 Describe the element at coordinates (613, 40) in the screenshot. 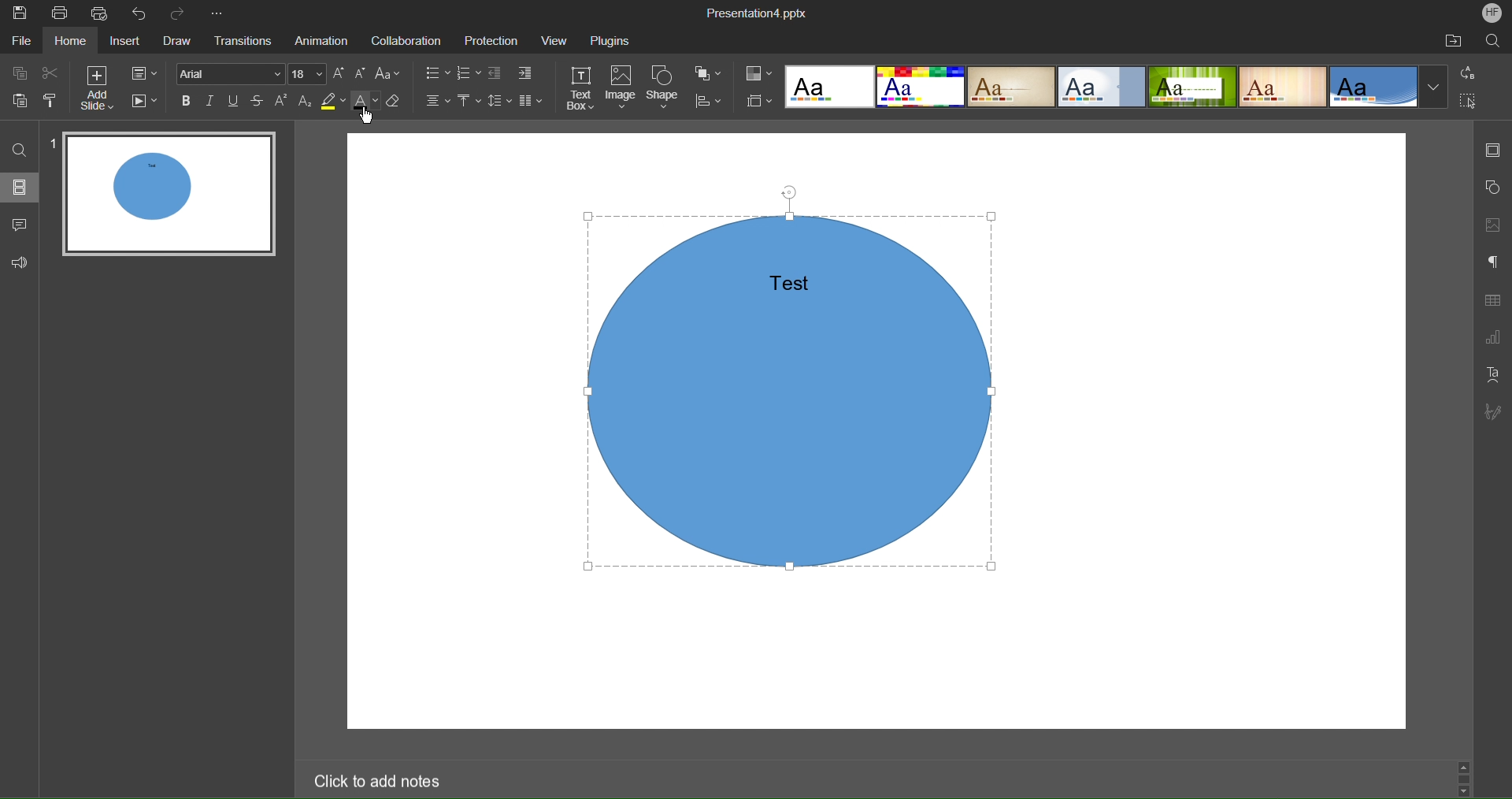

I see `Plugins` at that location.